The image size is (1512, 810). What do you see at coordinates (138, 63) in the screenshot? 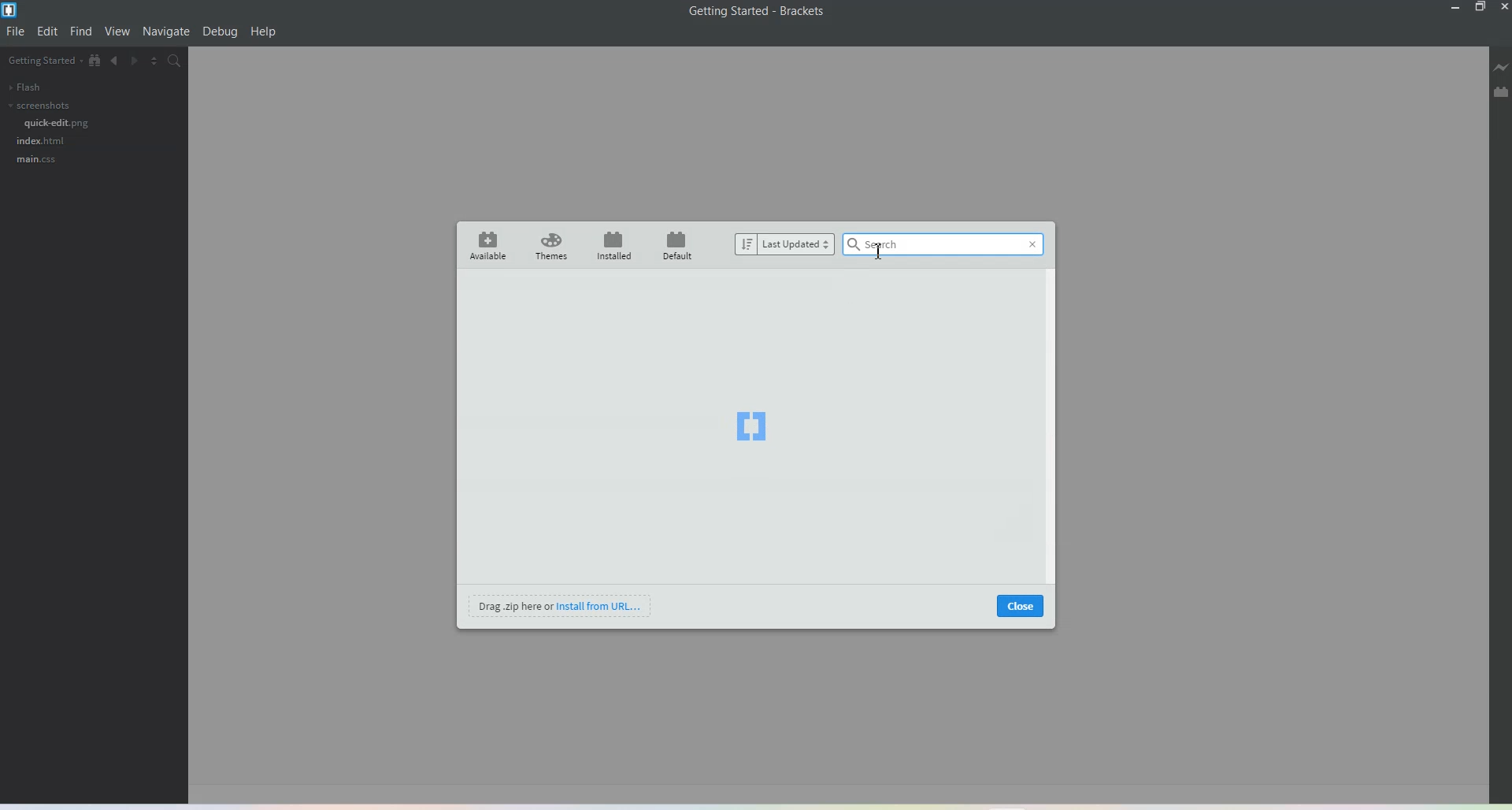
I see `Navigate Forwards` at bounding box center [138, 63].